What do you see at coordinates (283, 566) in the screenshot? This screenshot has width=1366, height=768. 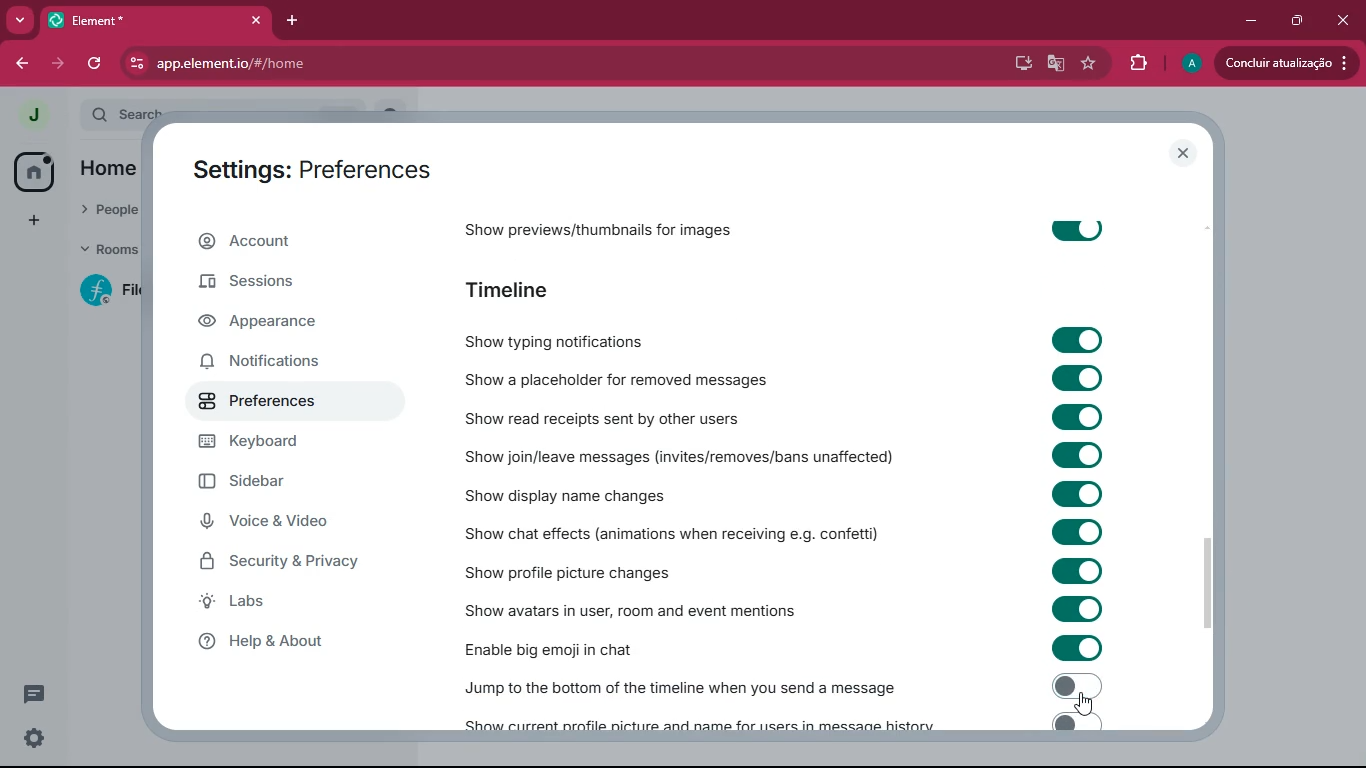 I see `security & privacy` at bounding box center [283, 566].